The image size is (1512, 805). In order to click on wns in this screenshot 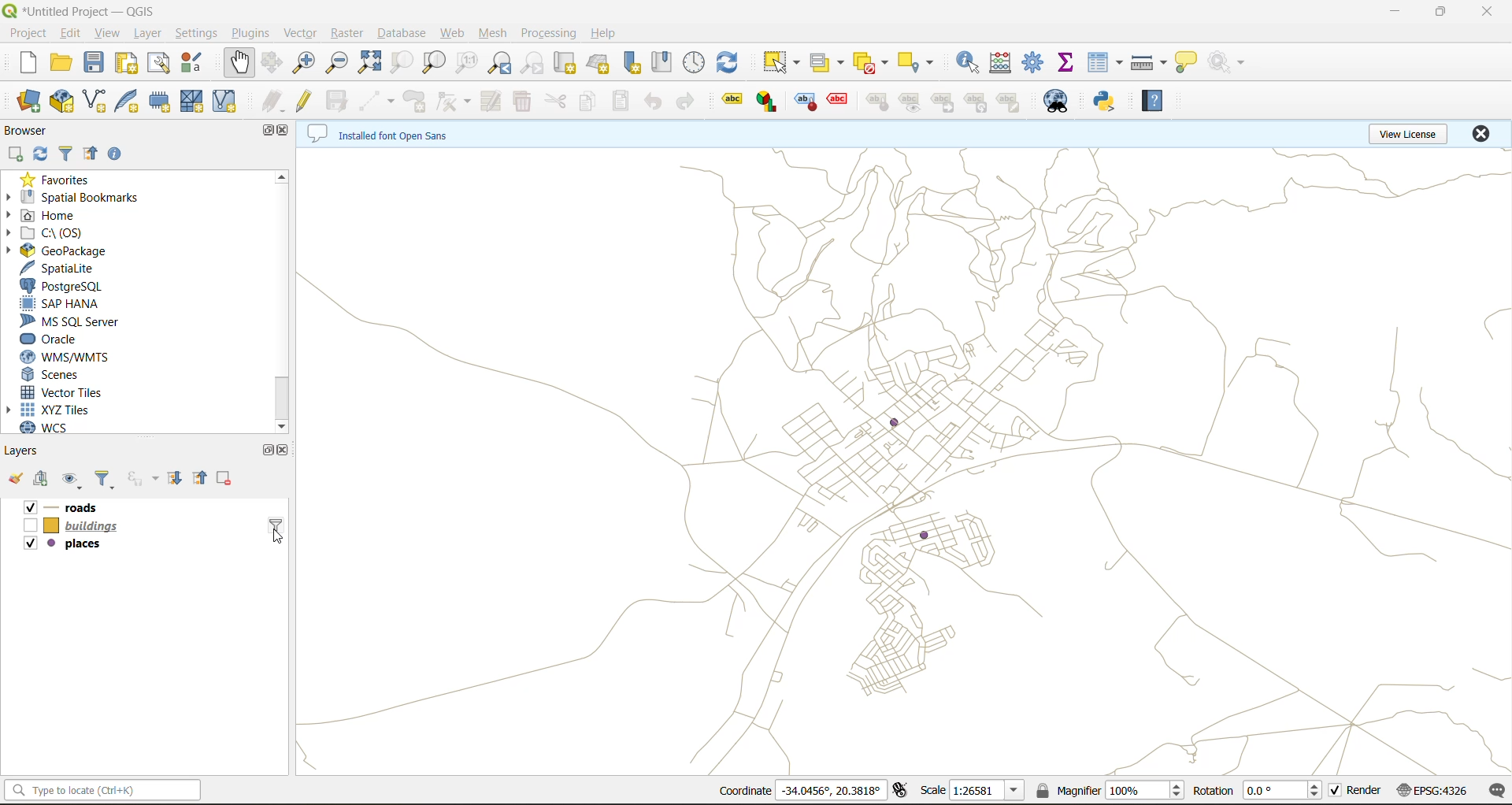, I will do `click(64, 358)`.